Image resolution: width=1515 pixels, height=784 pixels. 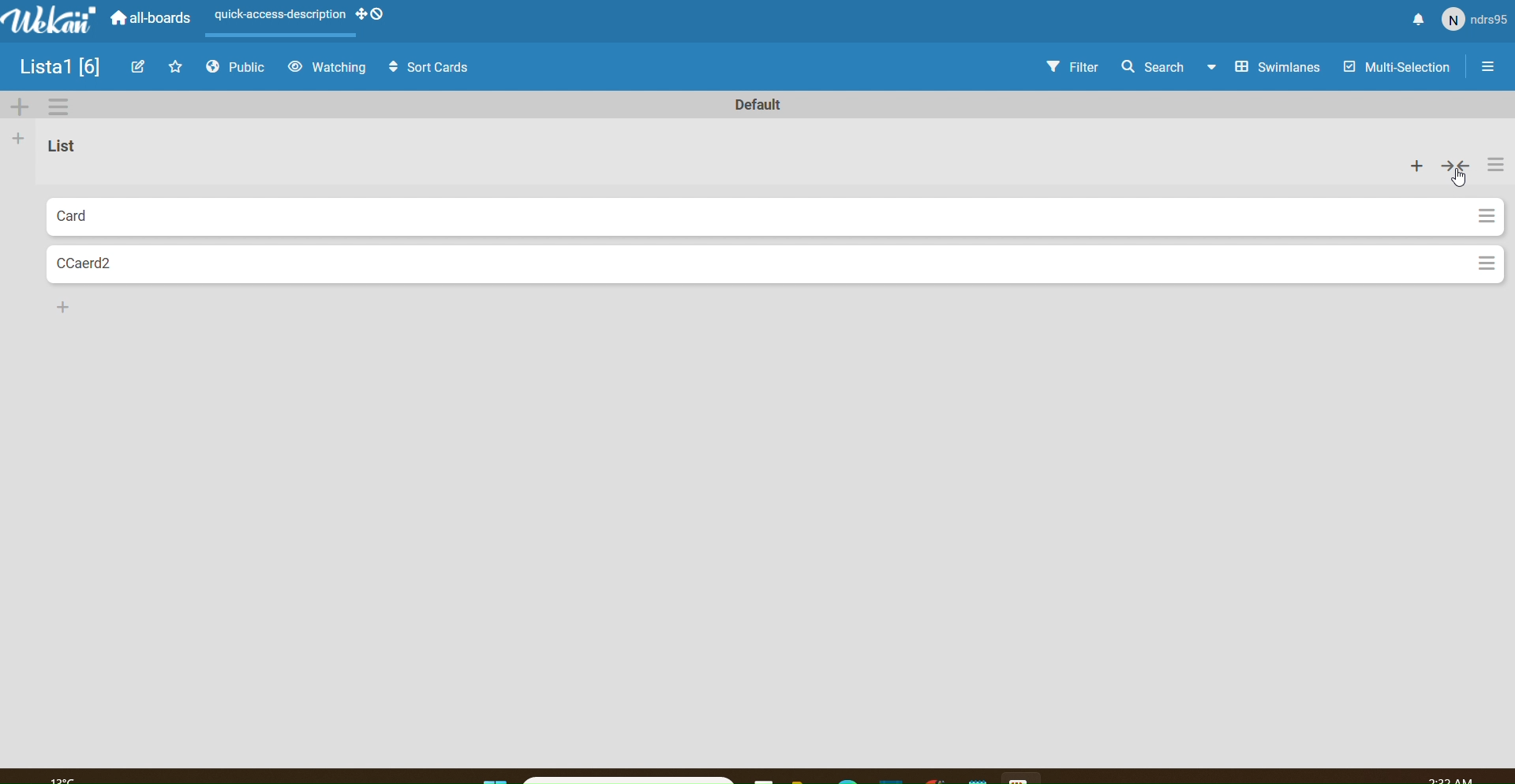 I want to click on desktop drag handles, so click(x=373, y=16).